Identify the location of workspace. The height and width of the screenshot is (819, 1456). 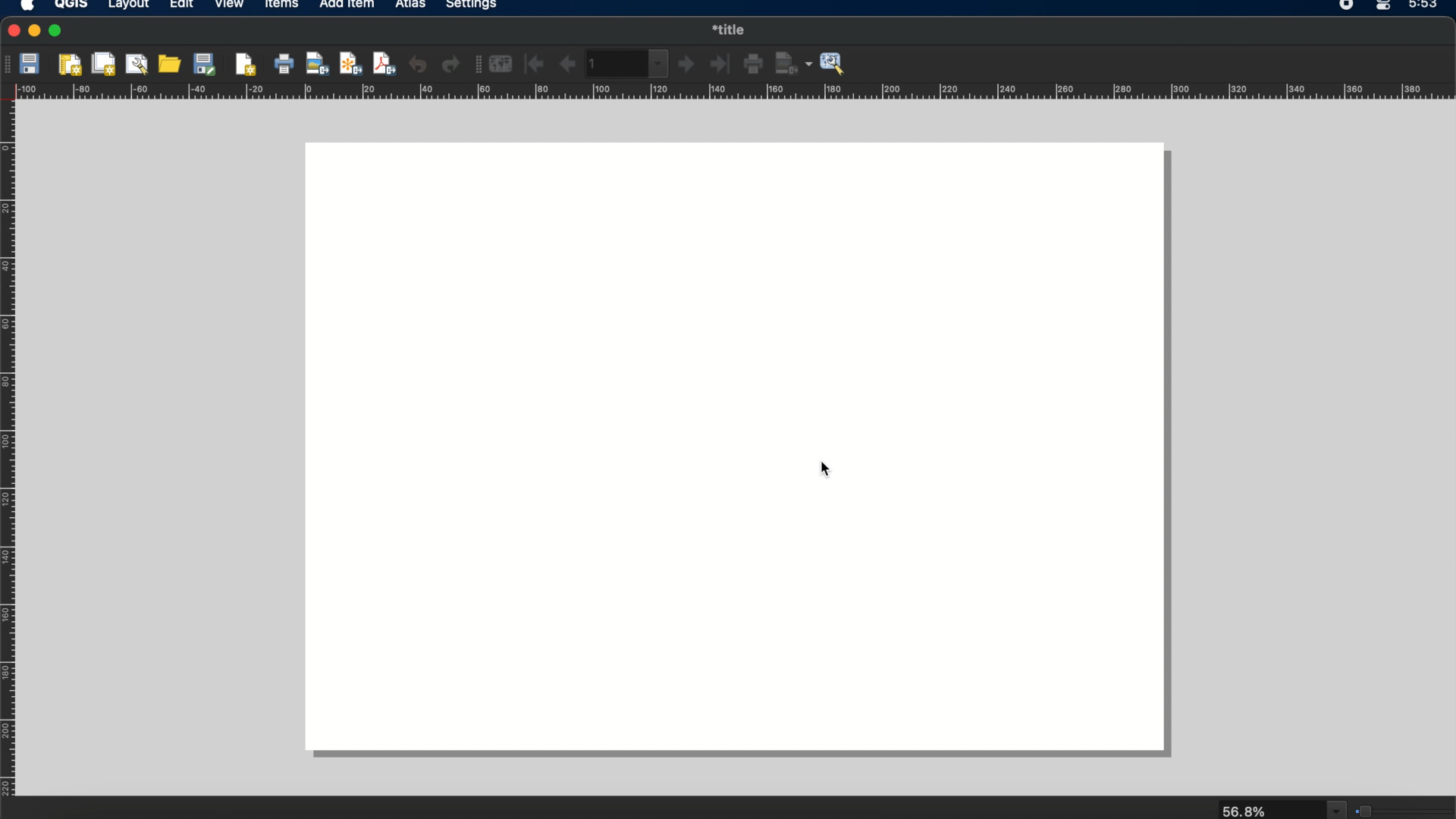
(736, 447).